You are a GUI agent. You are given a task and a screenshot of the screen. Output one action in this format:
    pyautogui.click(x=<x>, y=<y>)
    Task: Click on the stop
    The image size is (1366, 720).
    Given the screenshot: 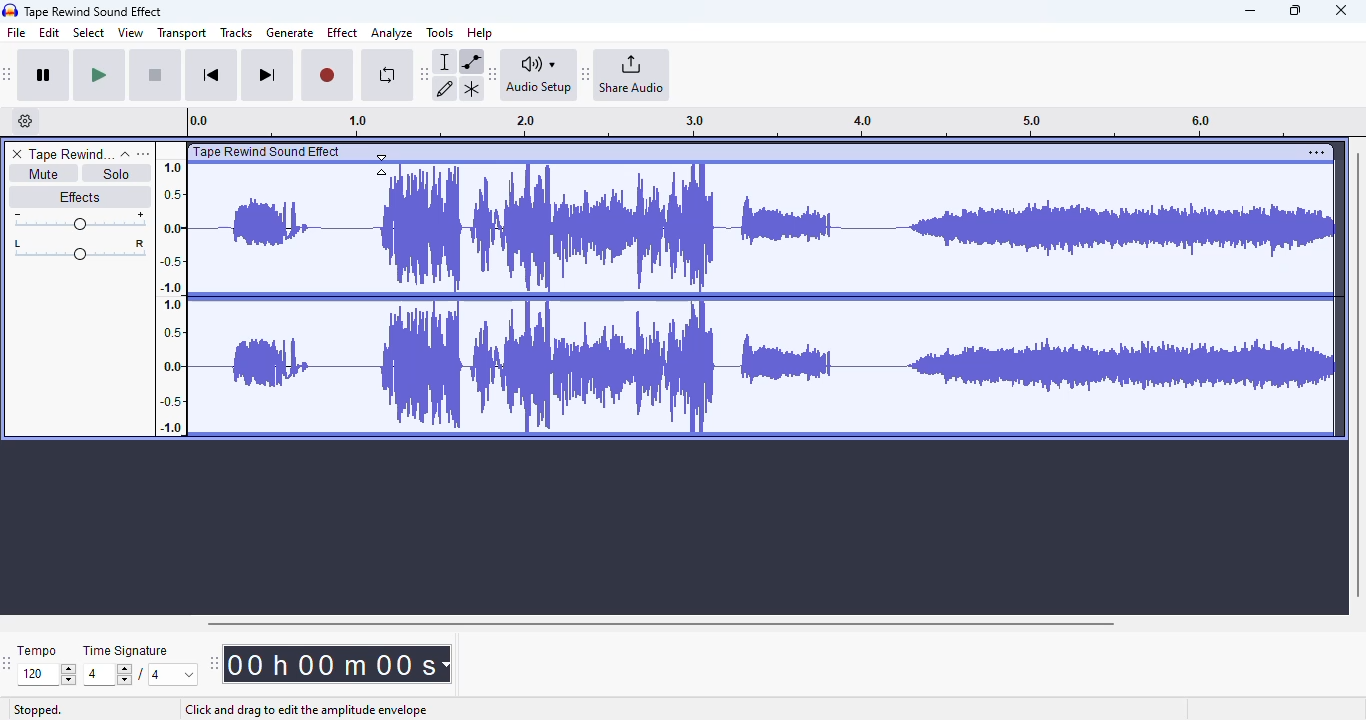 What is the action you would take?
    pyautogui.click(x=155, y=76)
    